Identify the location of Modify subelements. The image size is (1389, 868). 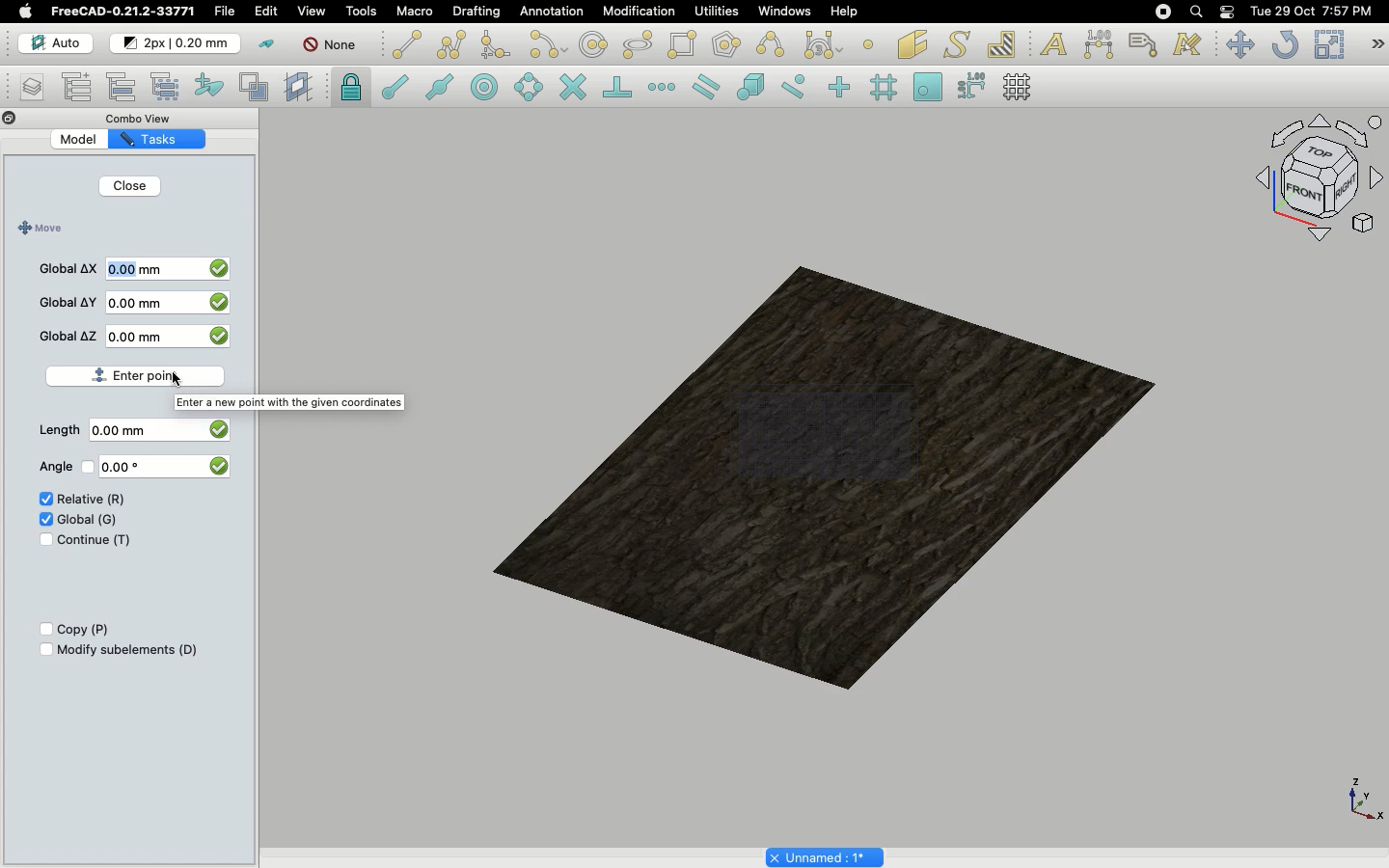
(128, 649).